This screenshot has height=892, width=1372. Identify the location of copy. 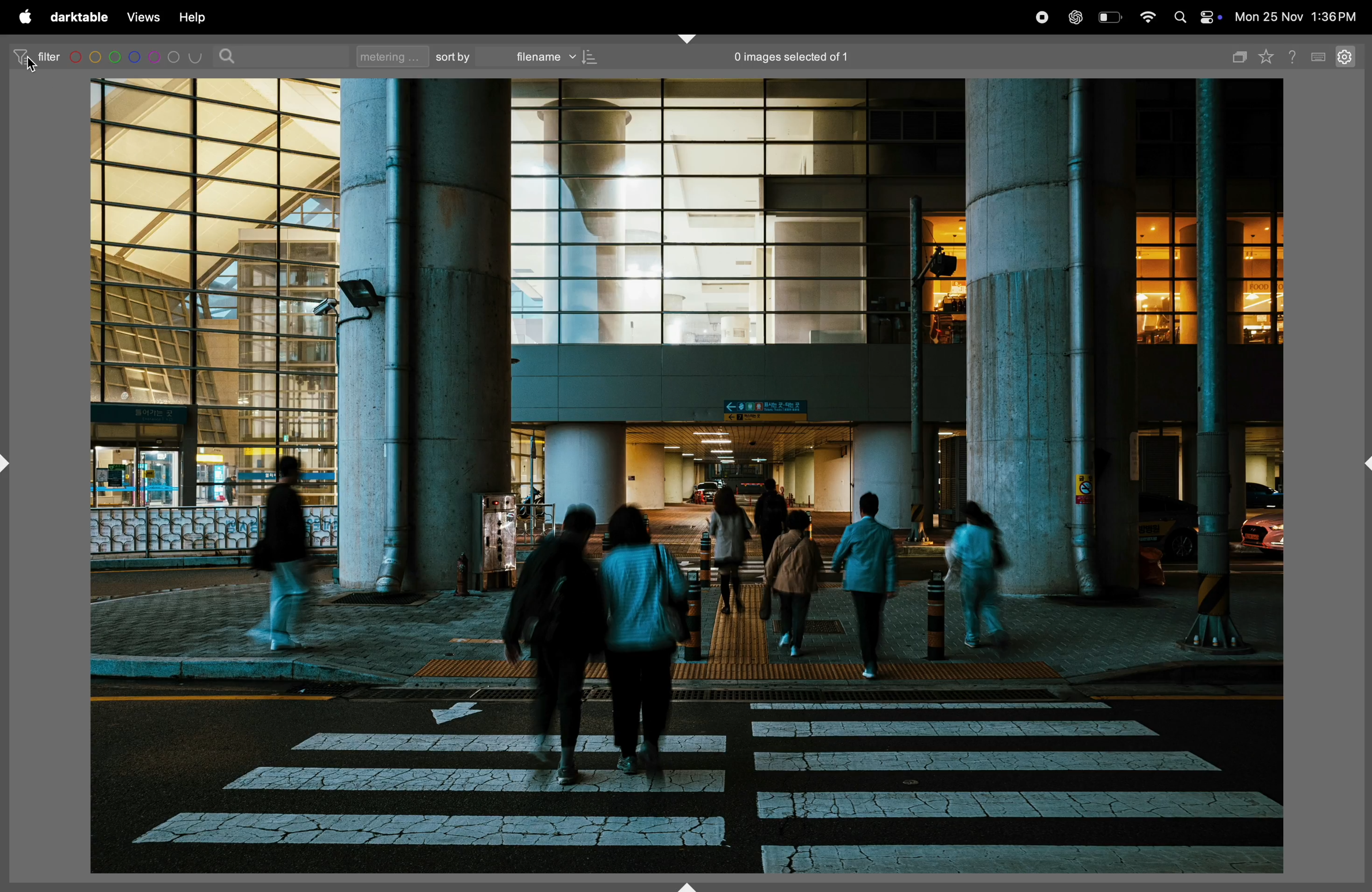
(1240, 55).